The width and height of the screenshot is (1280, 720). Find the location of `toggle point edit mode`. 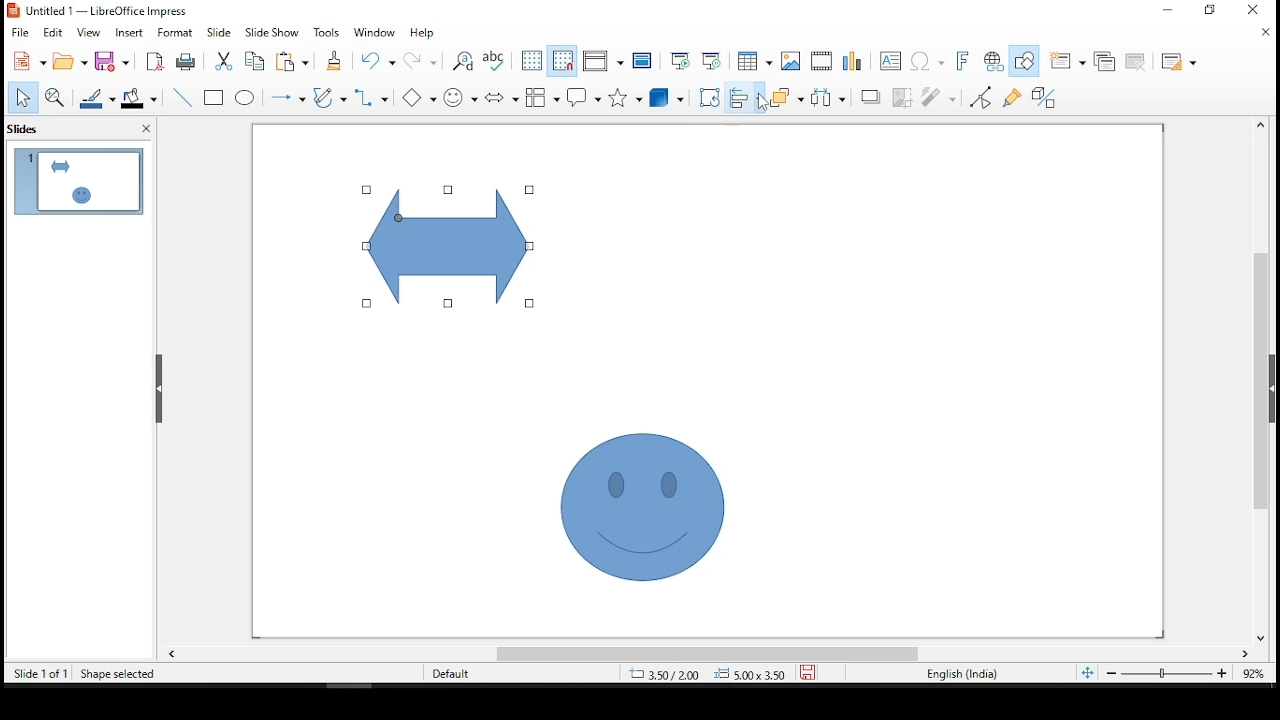

toggle point edit mode is located at coordinates (980, 99).